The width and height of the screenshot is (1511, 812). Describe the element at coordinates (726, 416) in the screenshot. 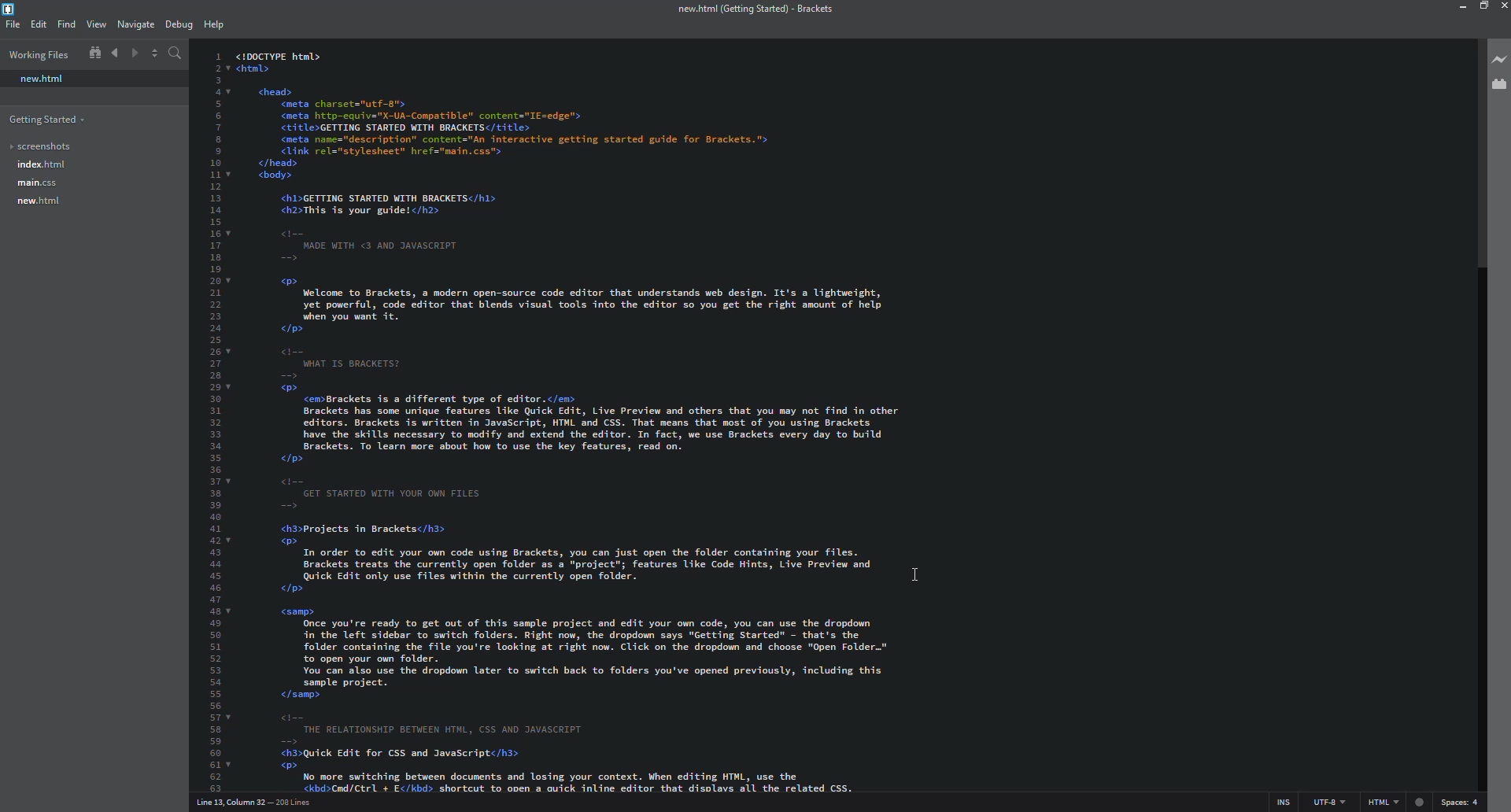

I see `code` at that location.